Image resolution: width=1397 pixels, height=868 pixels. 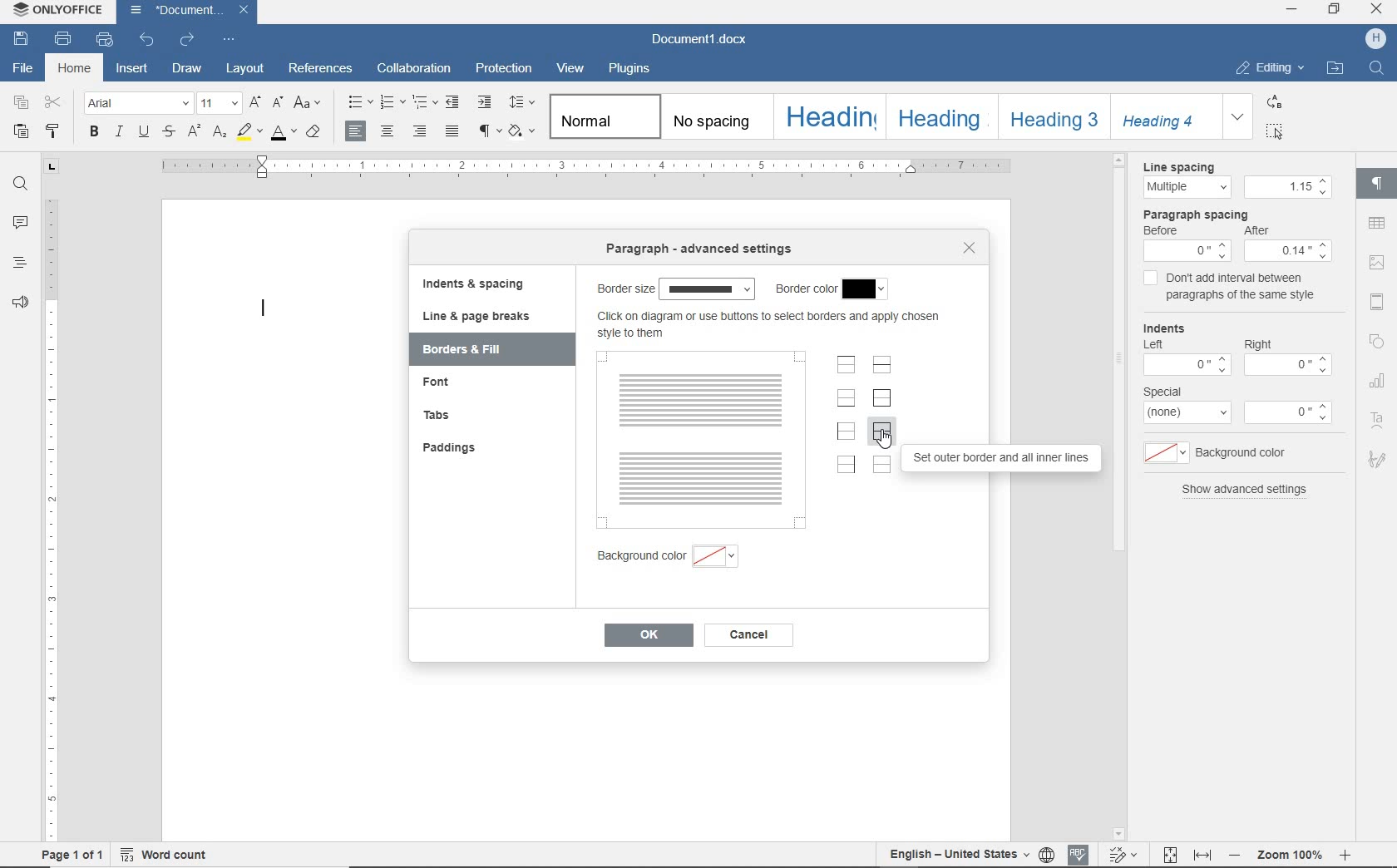 What do you see at coordinates (847, 431) in the screenshot?
I see `set left border only` at bounding box center [847, 431].